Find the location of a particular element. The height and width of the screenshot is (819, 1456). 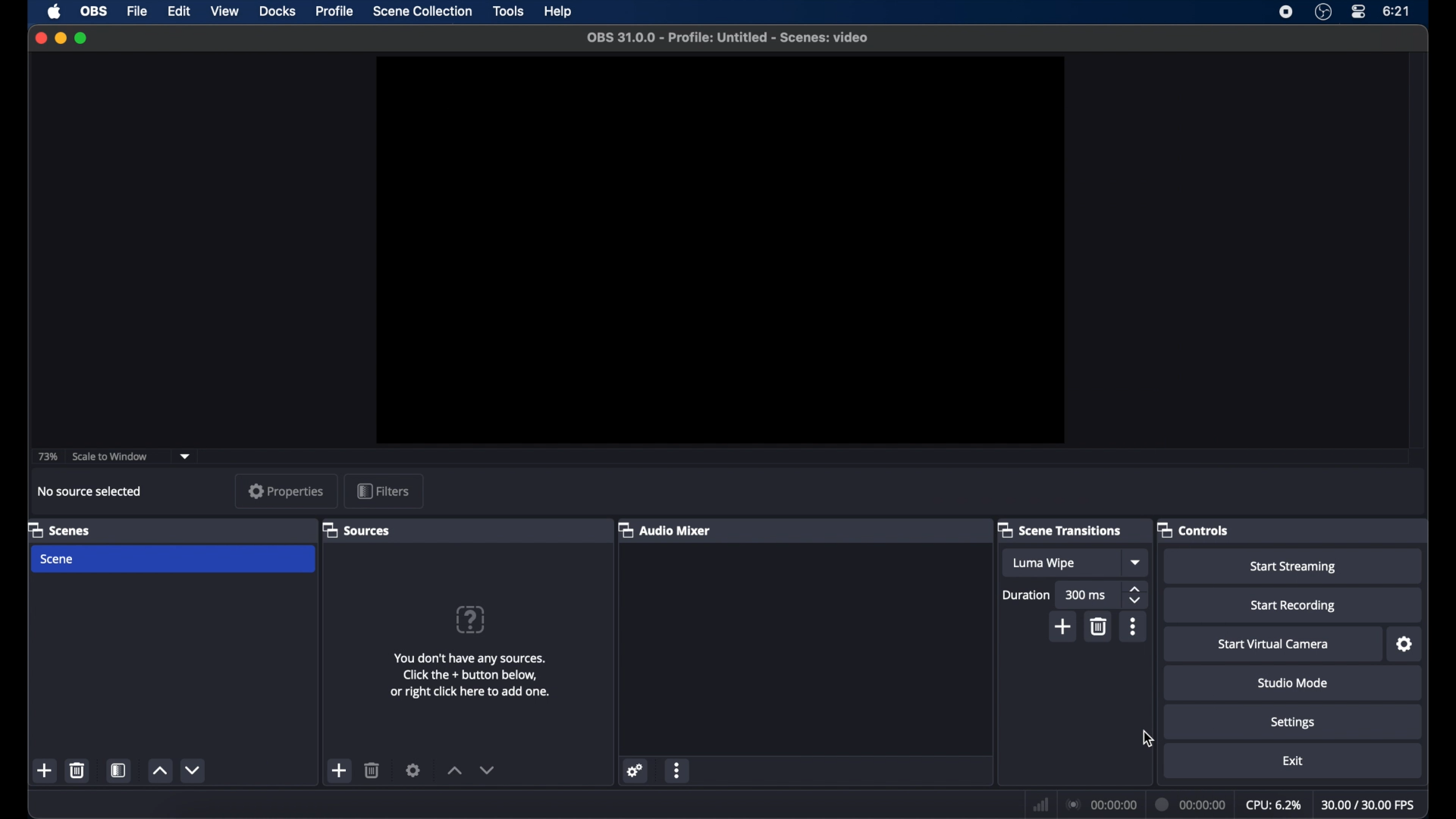

cpu is located at coordinates (1275, 805).